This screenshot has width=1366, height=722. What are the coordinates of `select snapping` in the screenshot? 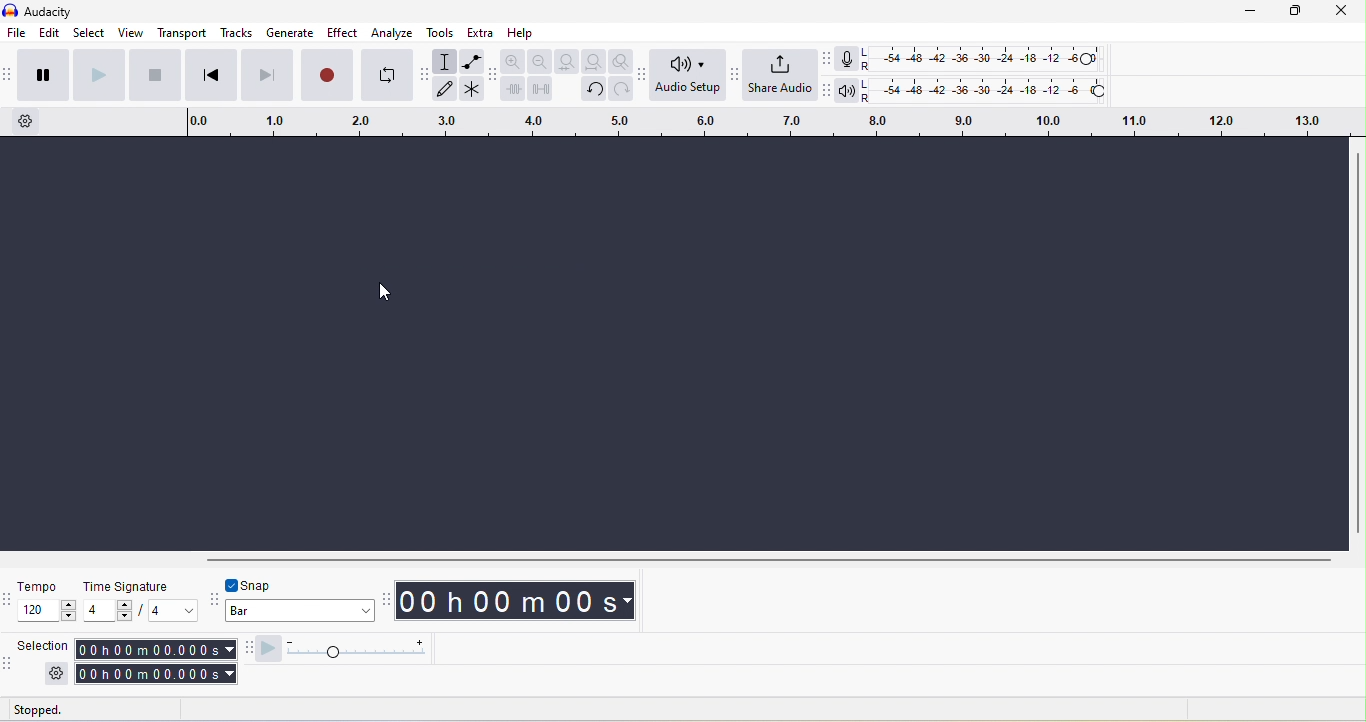 It's located at (300, 610).